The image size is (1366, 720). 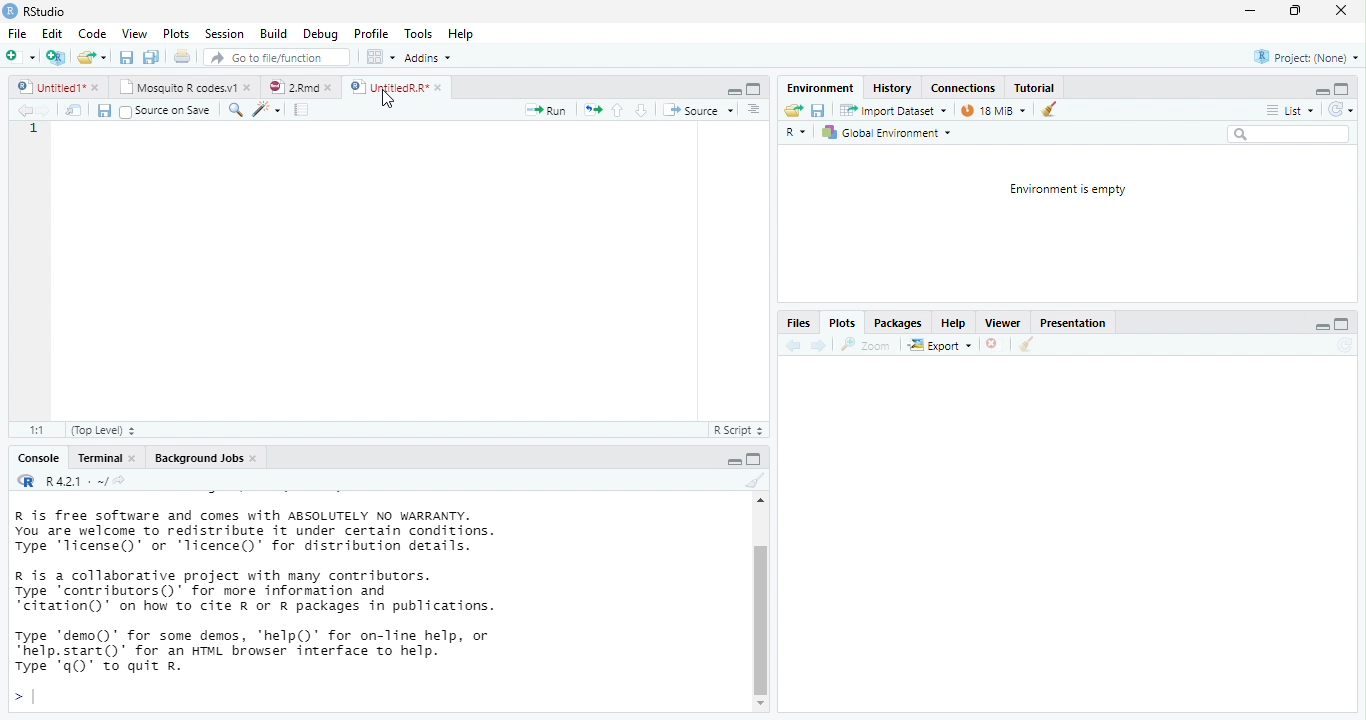 What do you see at coordinates (641, 110) in the screenshot?
I see `down` at bounding box center [641, 110].